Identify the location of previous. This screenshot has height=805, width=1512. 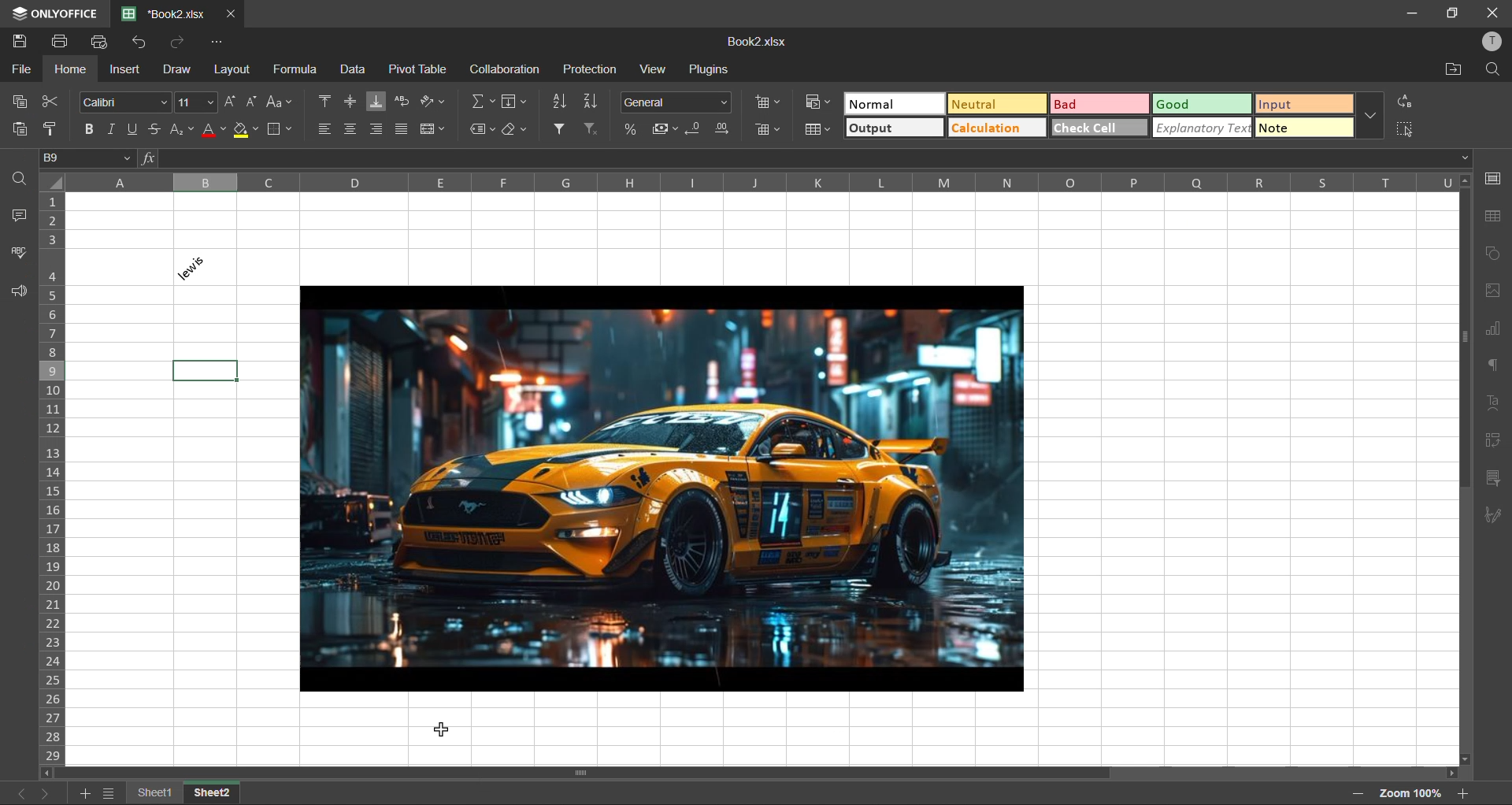
(14, 792).